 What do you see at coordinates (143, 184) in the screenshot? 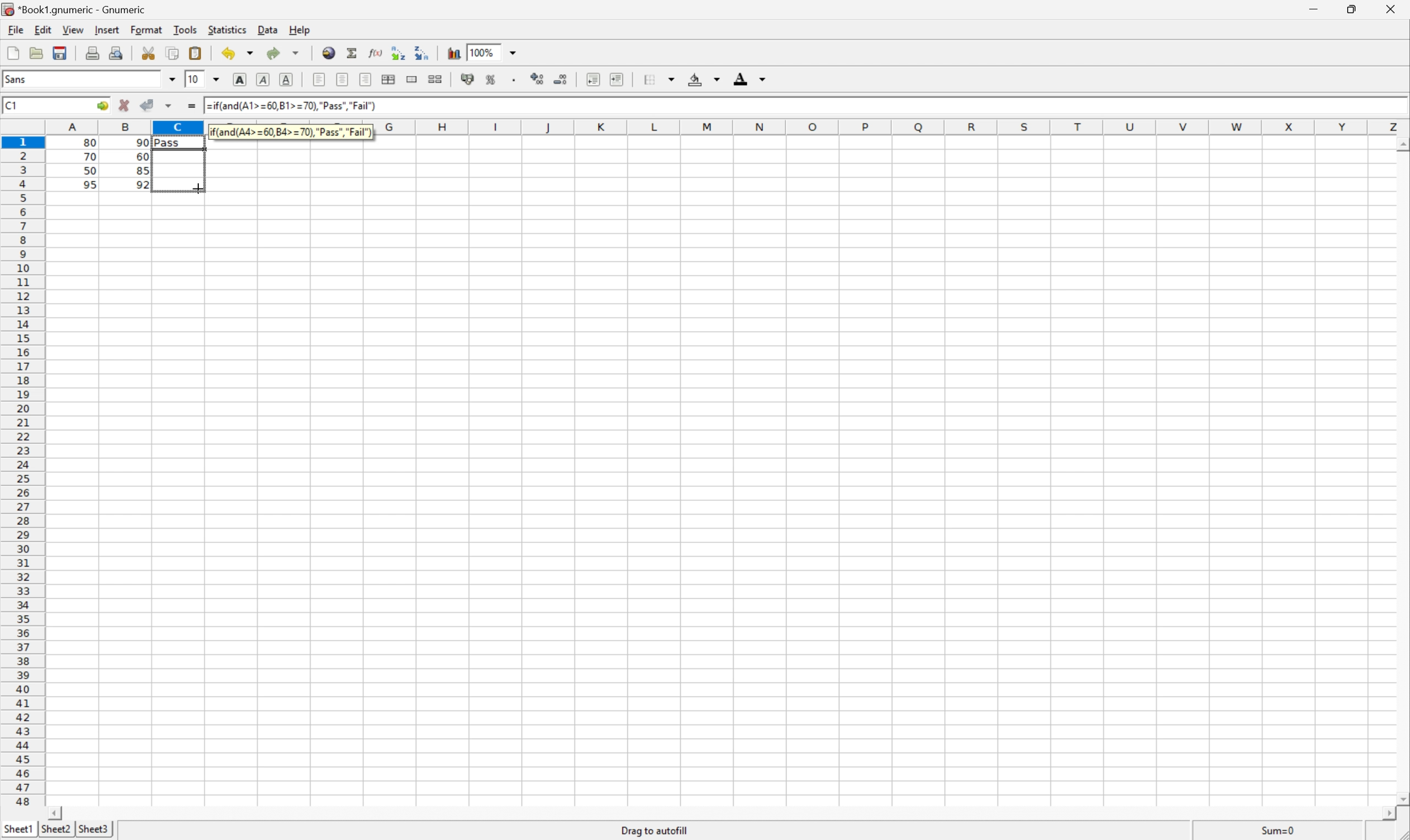
I see `92` at bounding box center [143, 184].